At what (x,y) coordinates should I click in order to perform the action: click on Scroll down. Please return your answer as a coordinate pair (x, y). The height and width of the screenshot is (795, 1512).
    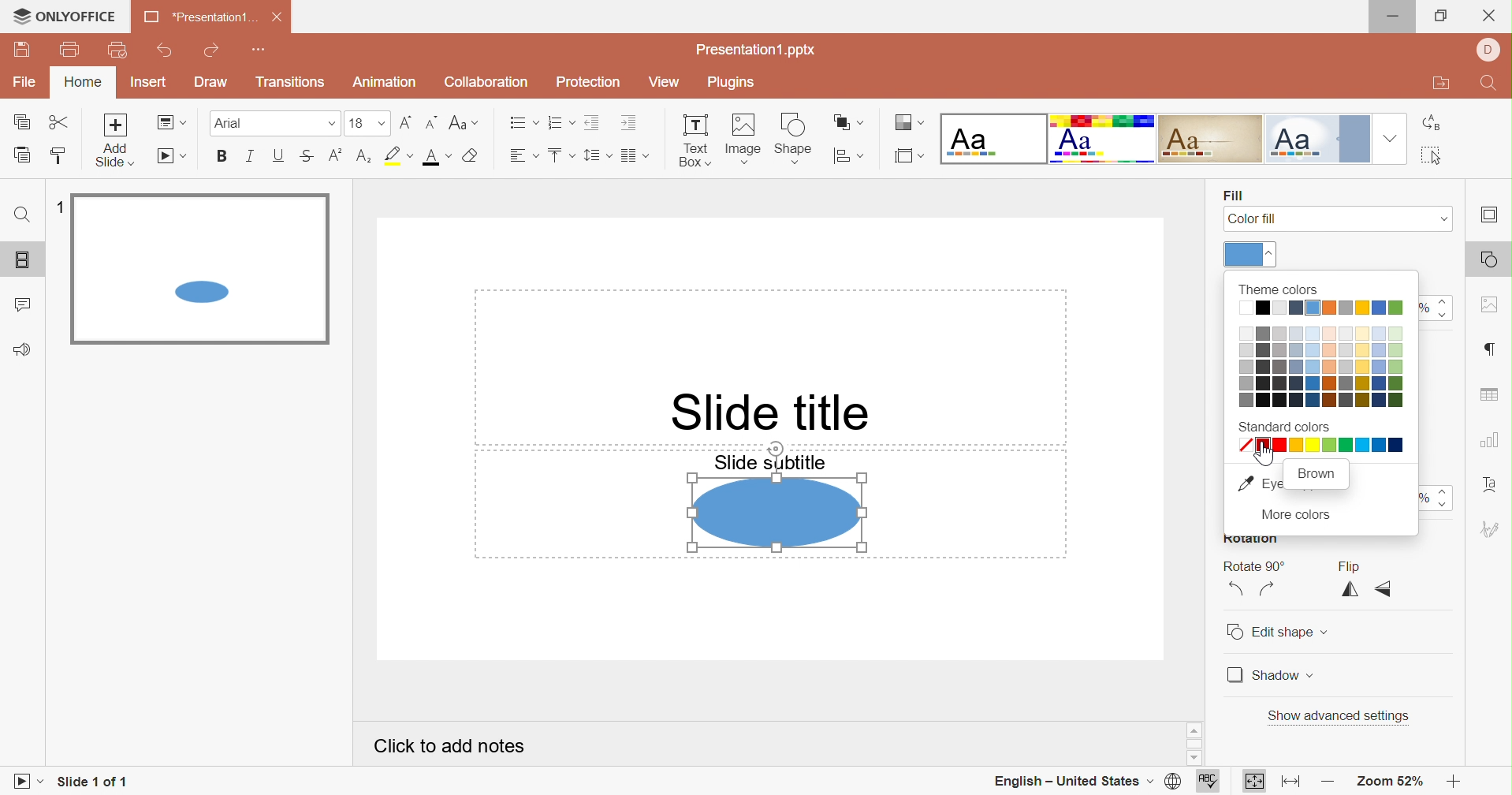
    Looking at the image, I should click on (1198, 760).